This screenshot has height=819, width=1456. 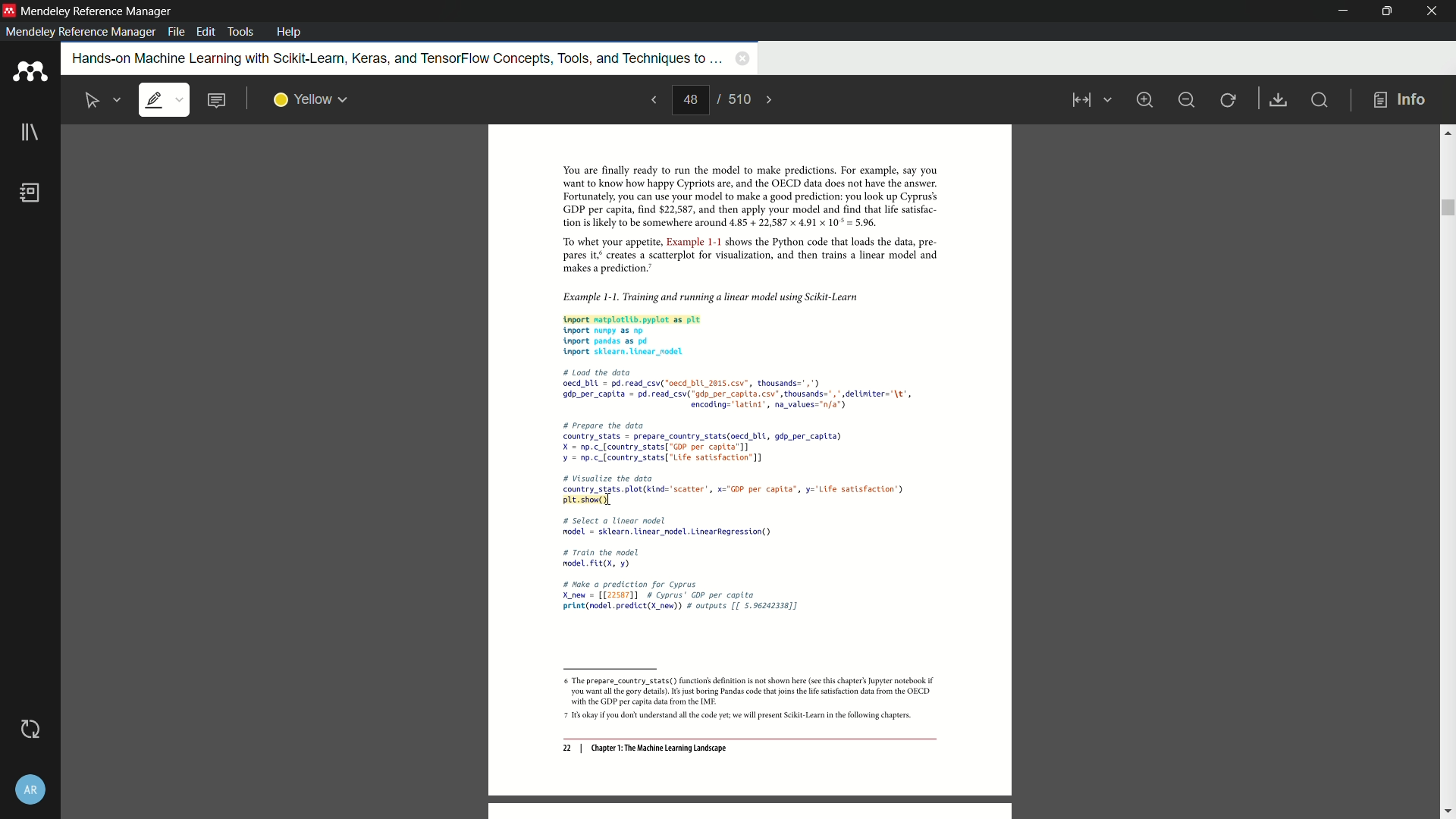 What do you see at coordinates (31, 193) in the screenshot?
I see `book` at bounding box center [31, 193].